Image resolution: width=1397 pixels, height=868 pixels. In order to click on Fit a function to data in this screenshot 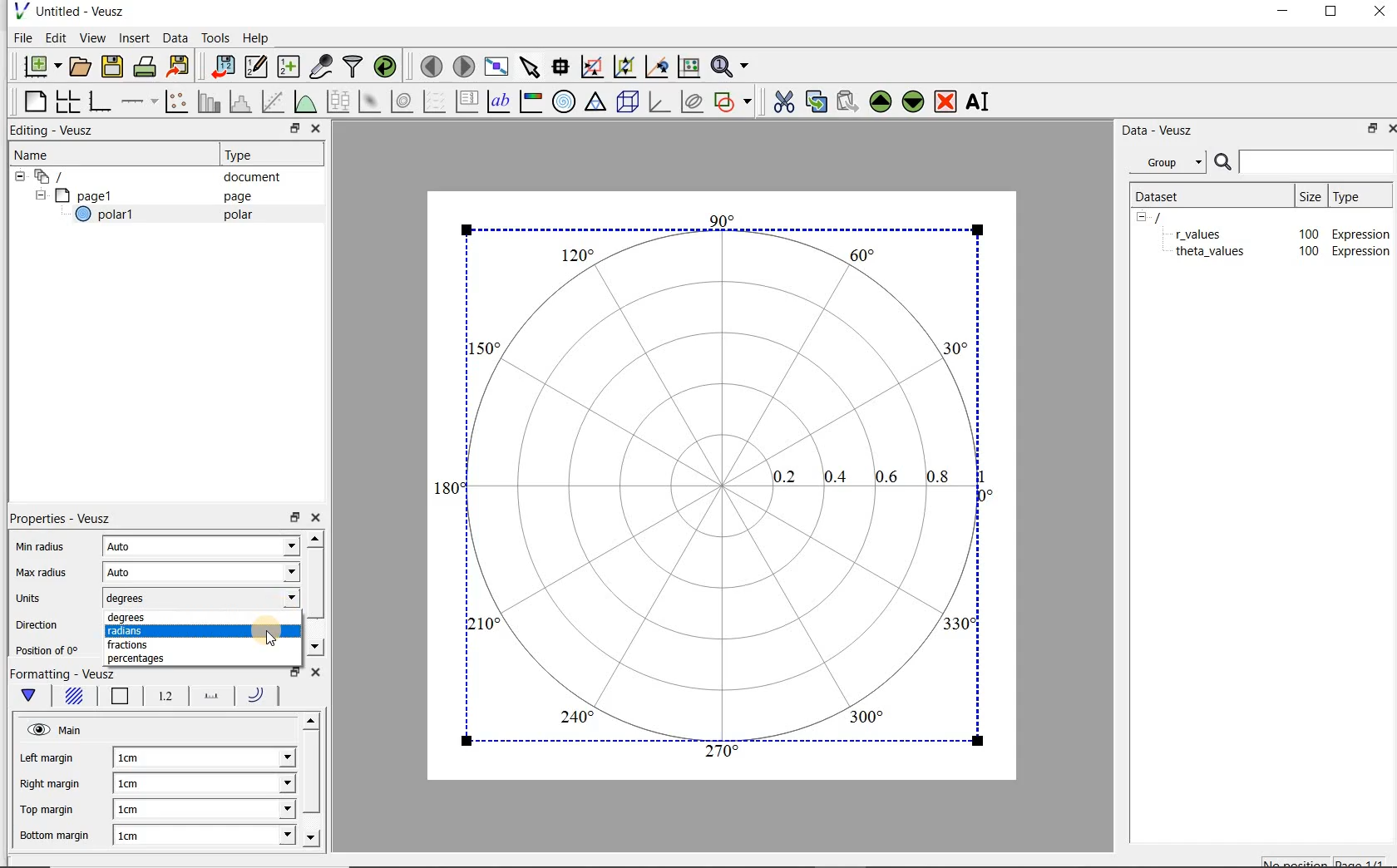, I will do `click(275, 101)`.